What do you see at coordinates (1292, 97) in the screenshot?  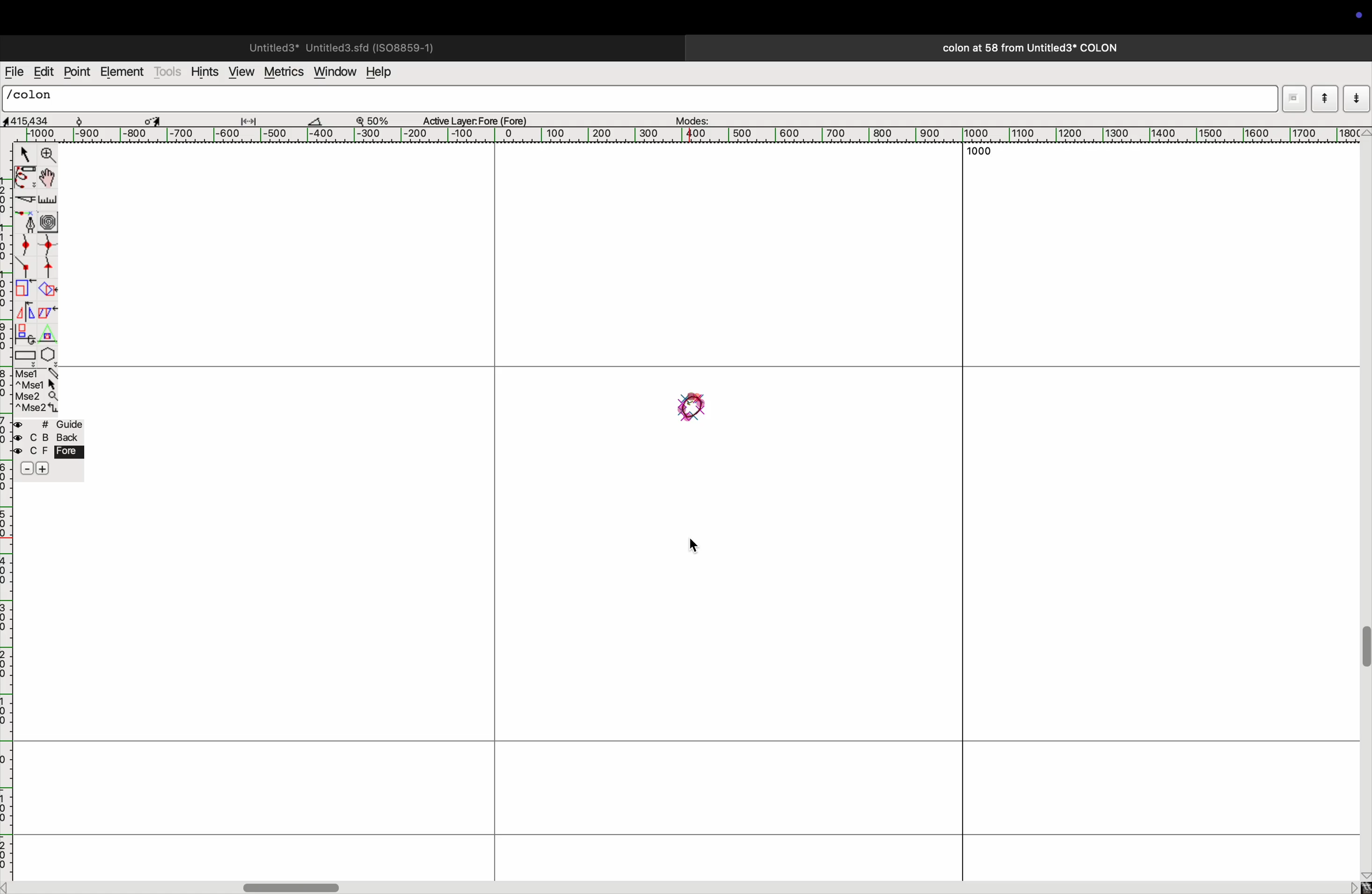 I see `Mode` at bounding box center [1292, 97].